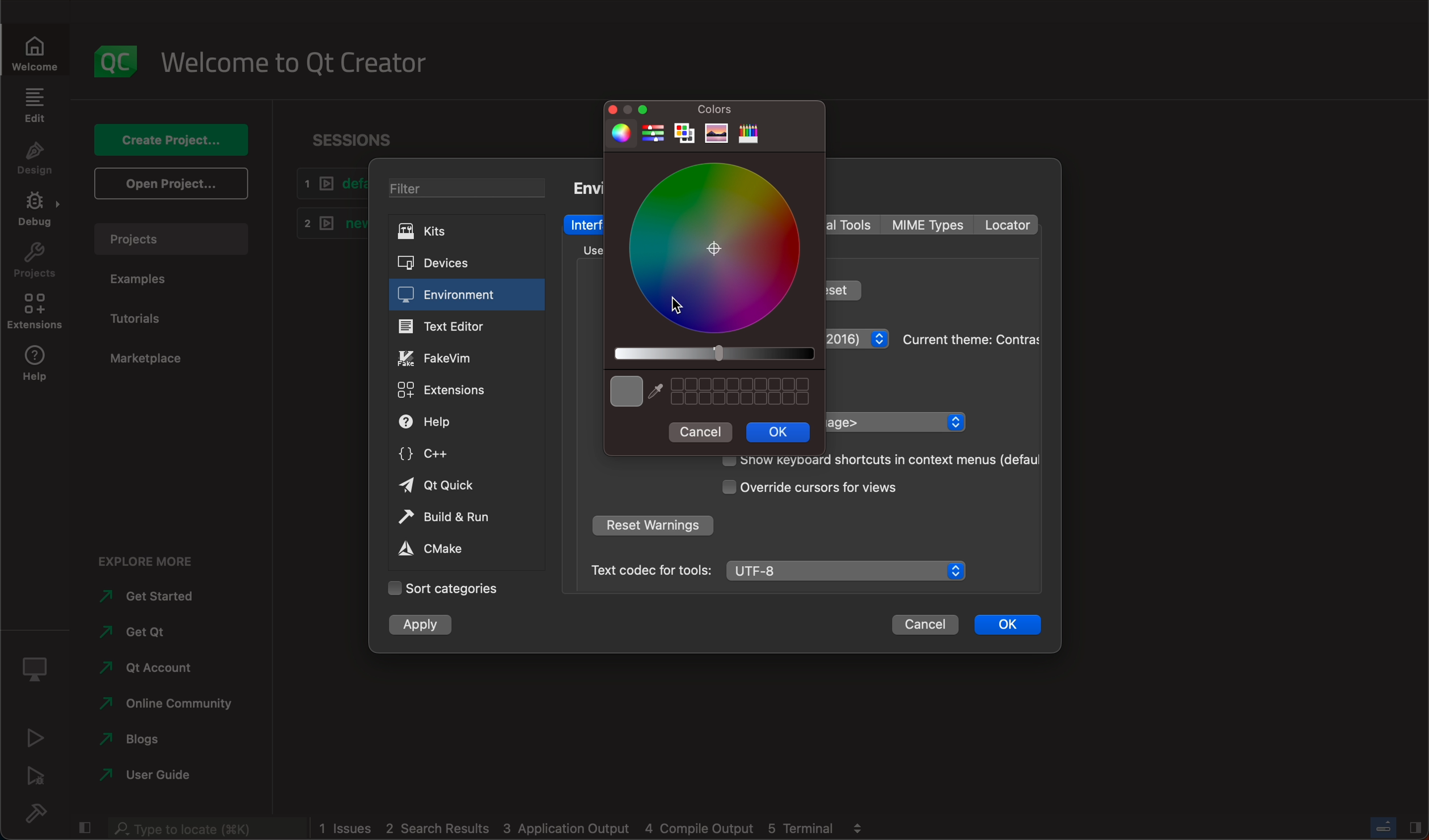  I want to click on logs, so click(577, 829).